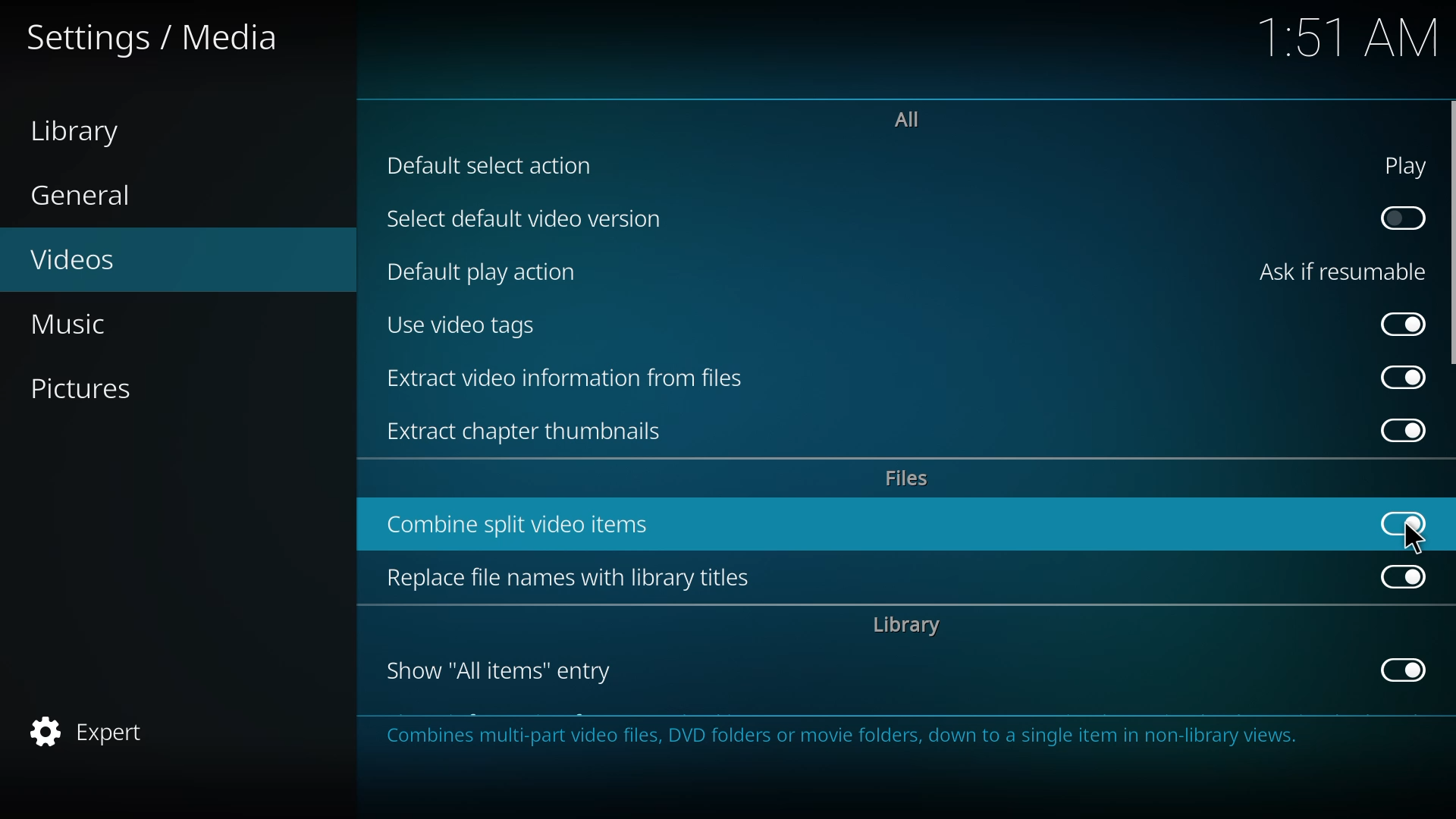  Describe the element at coordinates (1398, 670) in the screenshot. I see `enabled` at that location.